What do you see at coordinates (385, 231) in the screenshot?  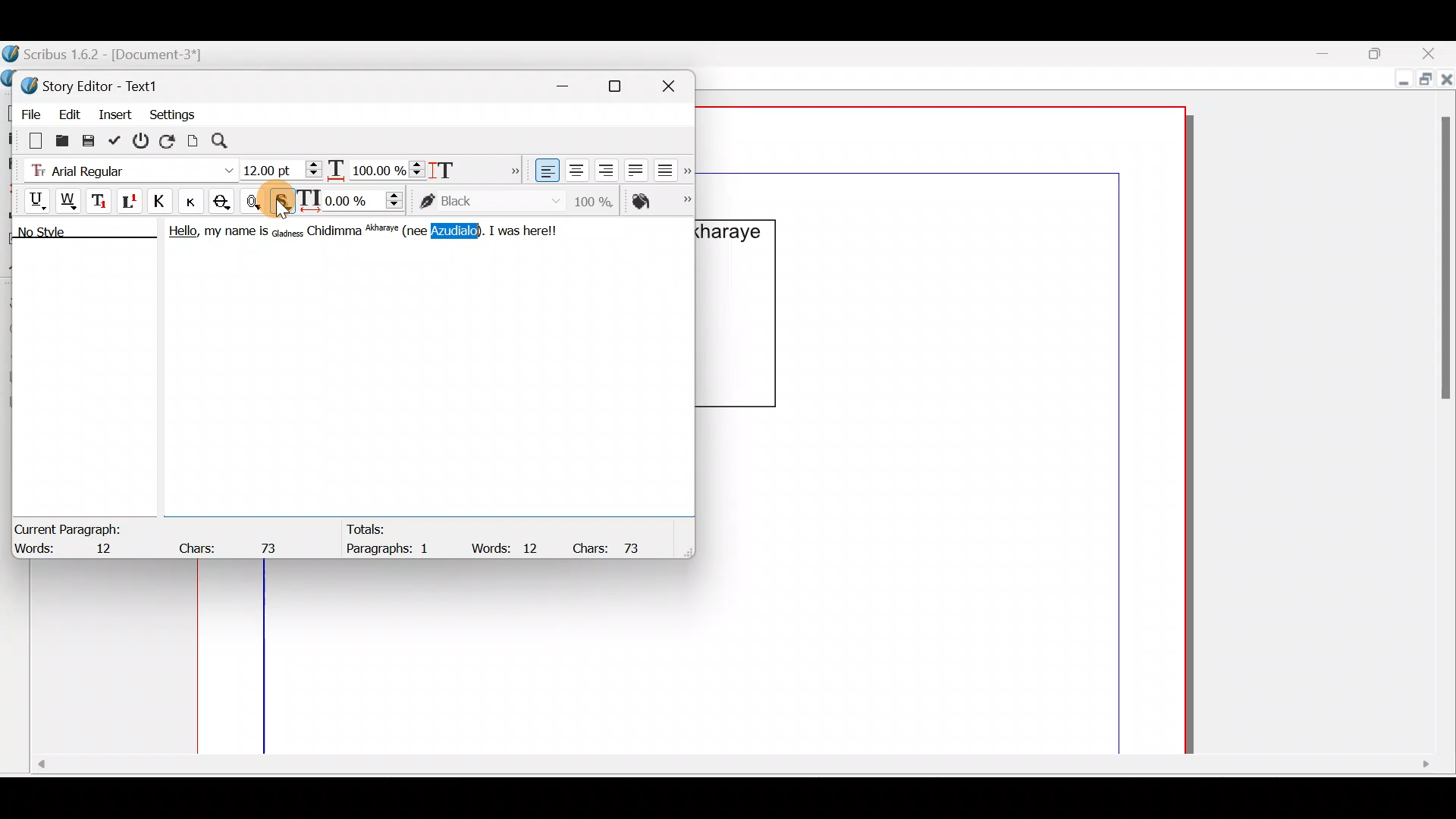 I see `Akharaye` at bounding box center [385, 231].